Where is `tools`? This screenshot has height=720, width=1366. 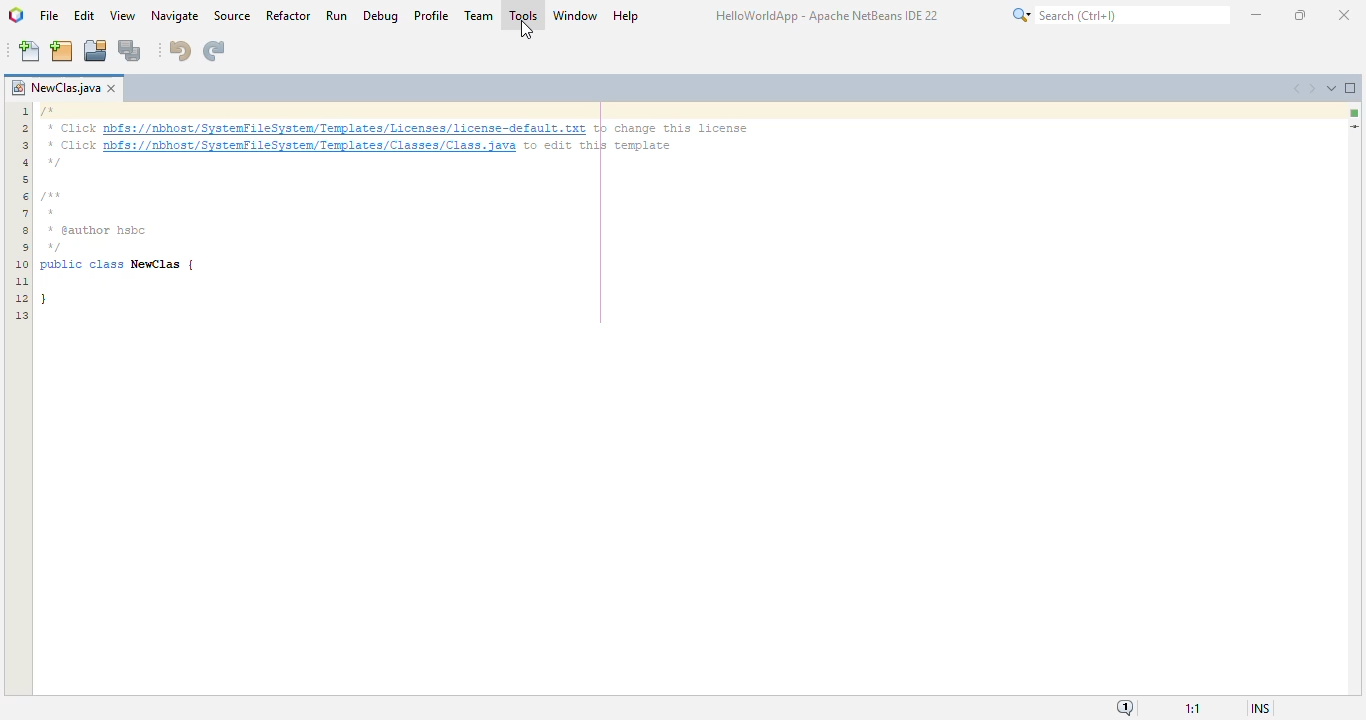 tools is located at coordinates (522, 14).